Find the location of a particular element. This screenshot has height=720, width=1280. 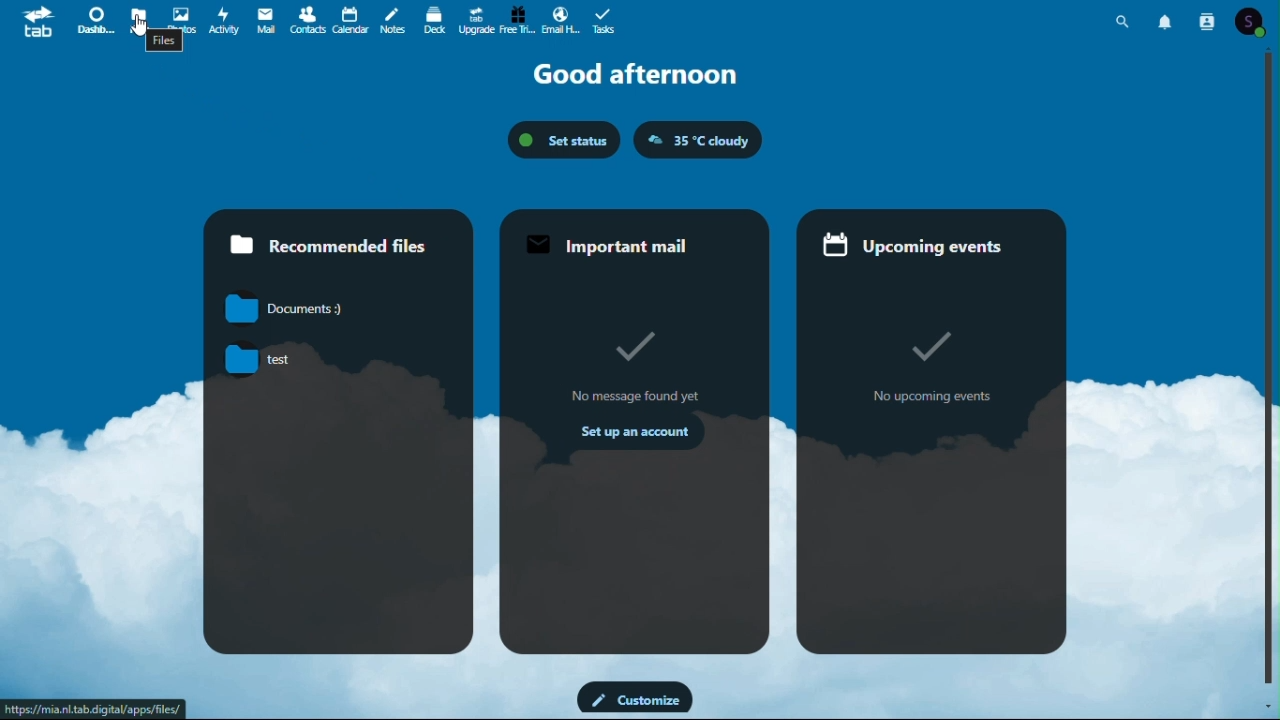

Notifications is located at coordinates (1167, 19).